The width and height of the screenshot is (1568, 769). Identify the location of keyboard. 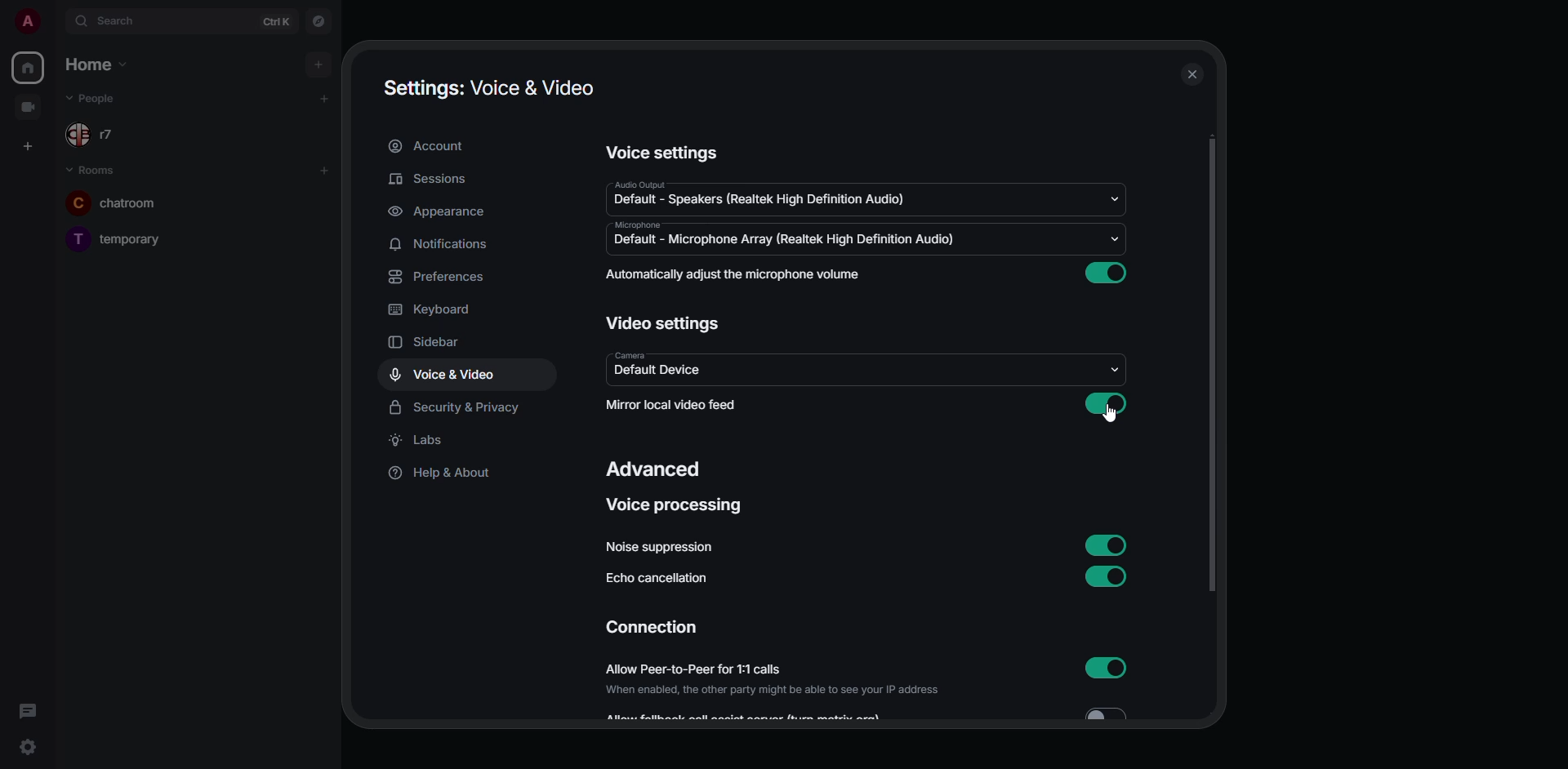
(431, 309).